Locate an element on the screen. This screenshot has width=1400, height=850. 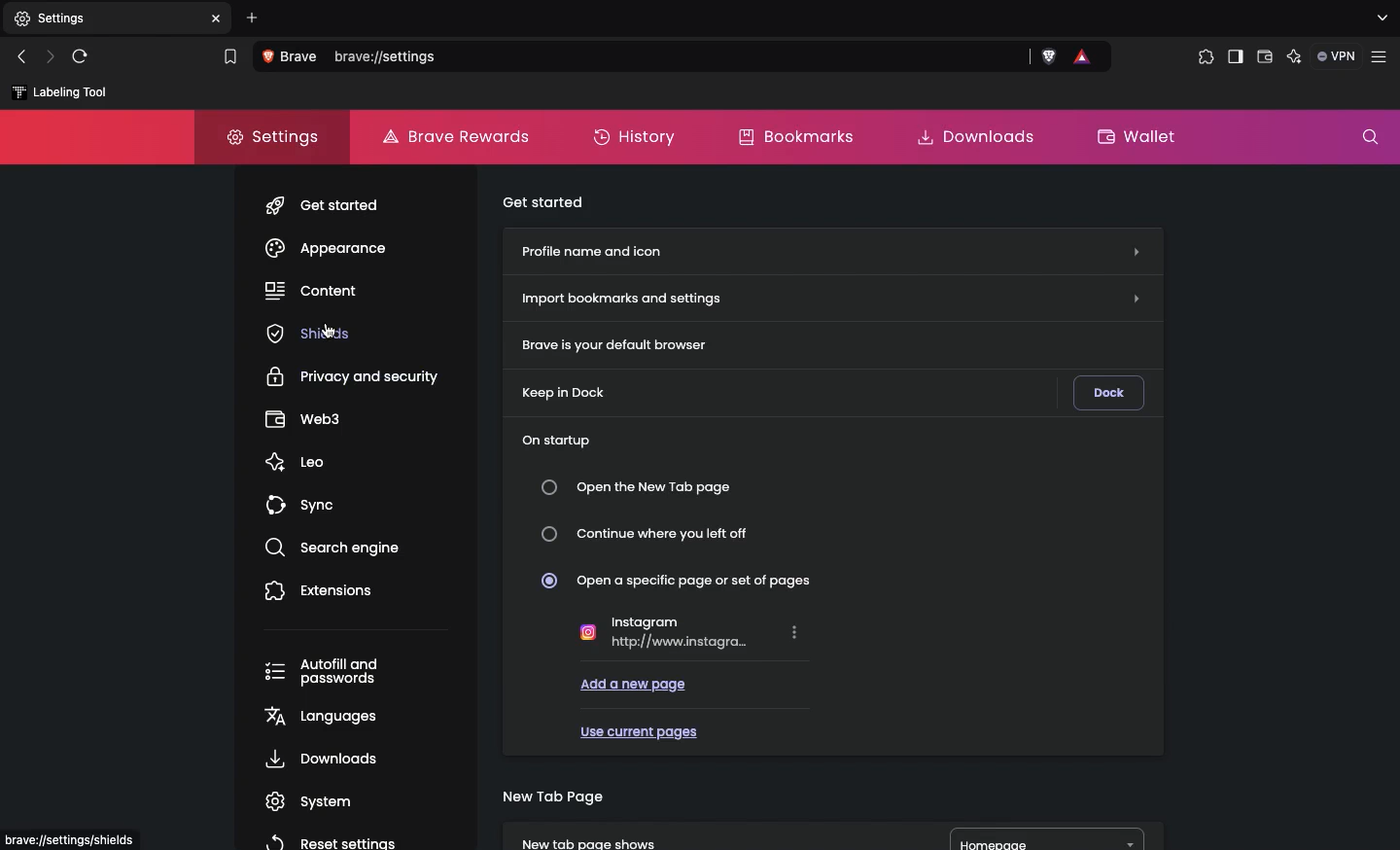
Content is located at coordinates (308, 290).